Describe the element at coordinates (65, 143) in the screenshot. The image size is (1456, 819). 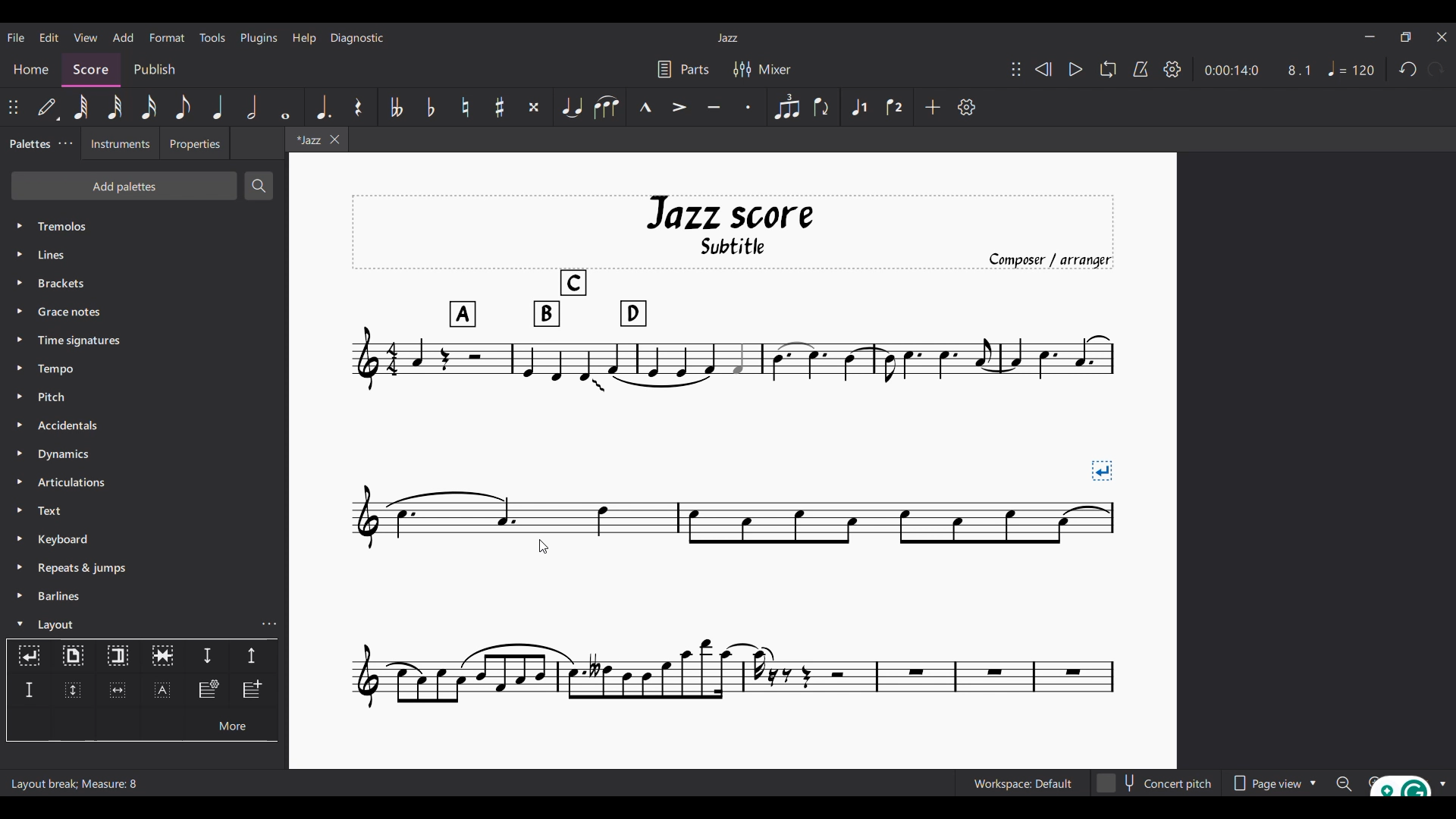
I see `Palette settings` at that location.